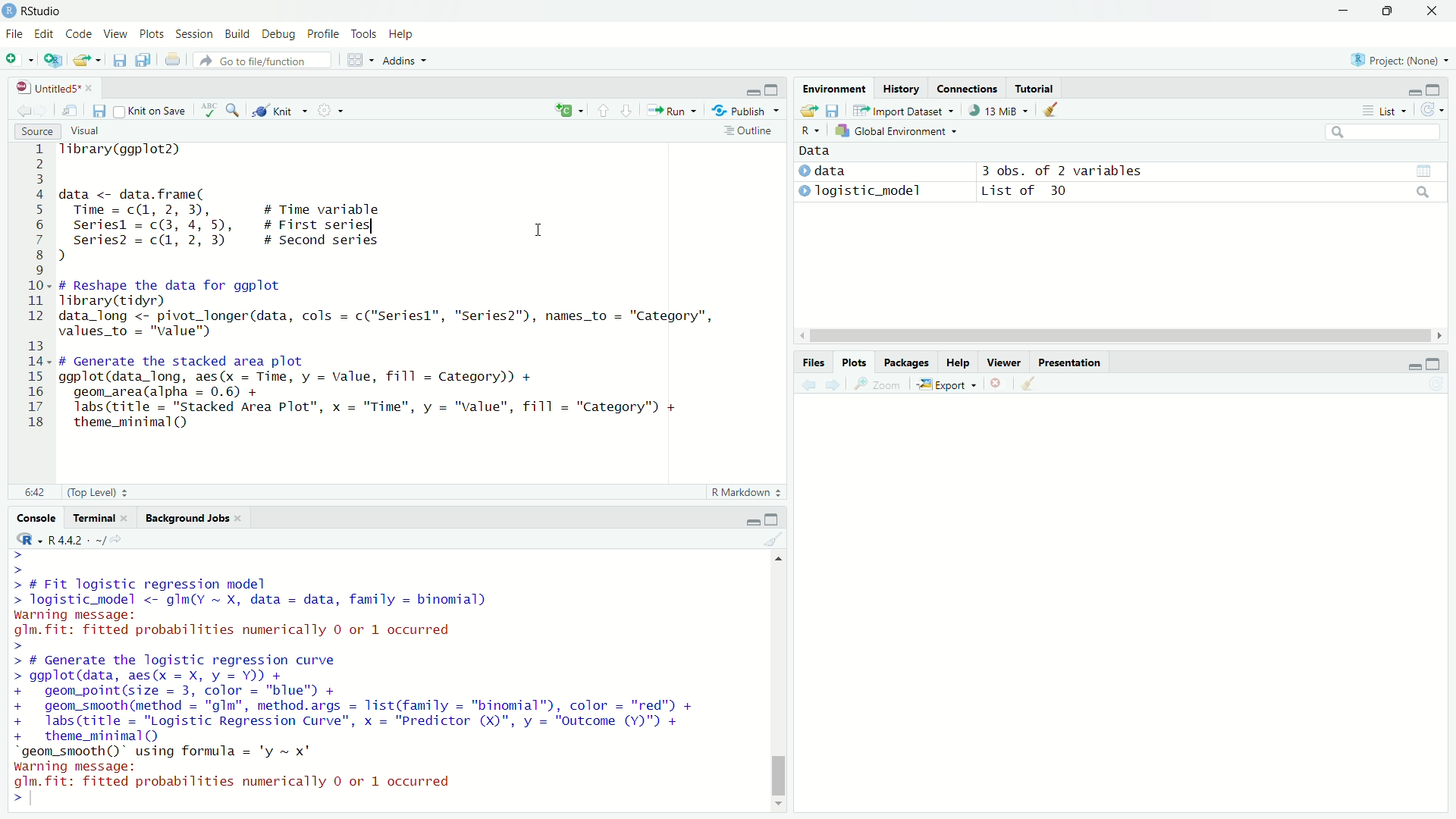 This screenshot has width=1456, height=819. I want to click on add, so click(18, 59).